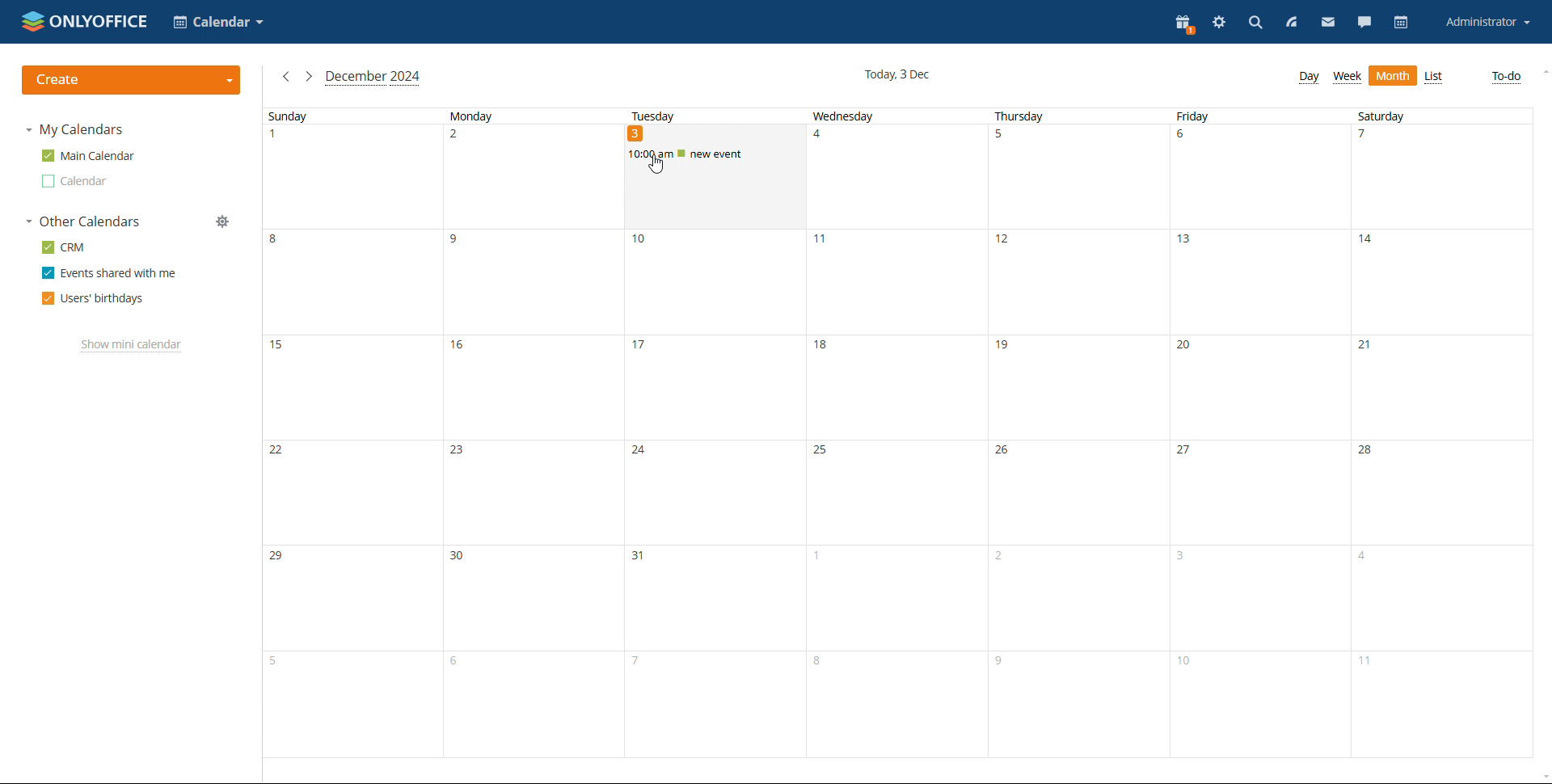 Image resolution: width=1552 pixels, height=784 pixels. Describe the element at coordinates (110, 272) in the screenshot. I see `events shared with me` at that location.